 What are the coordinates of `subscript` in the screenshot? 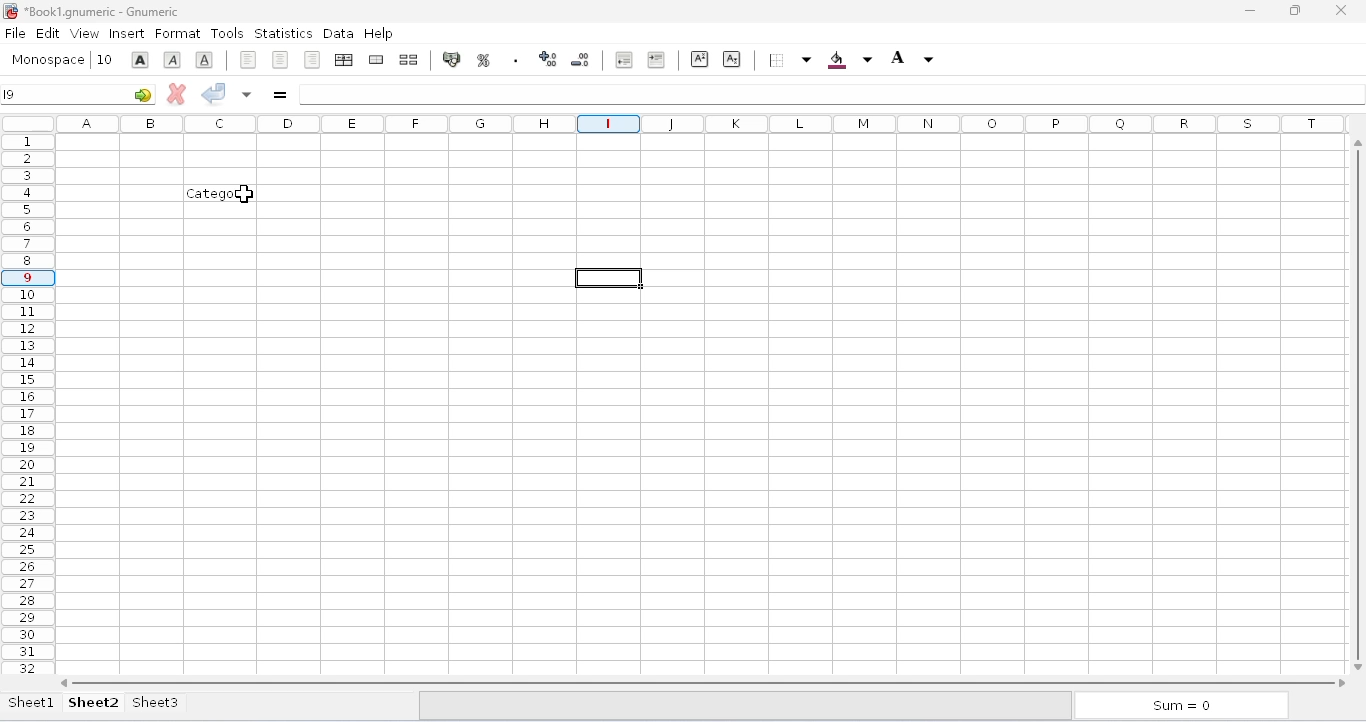 It's located at (731, 58).